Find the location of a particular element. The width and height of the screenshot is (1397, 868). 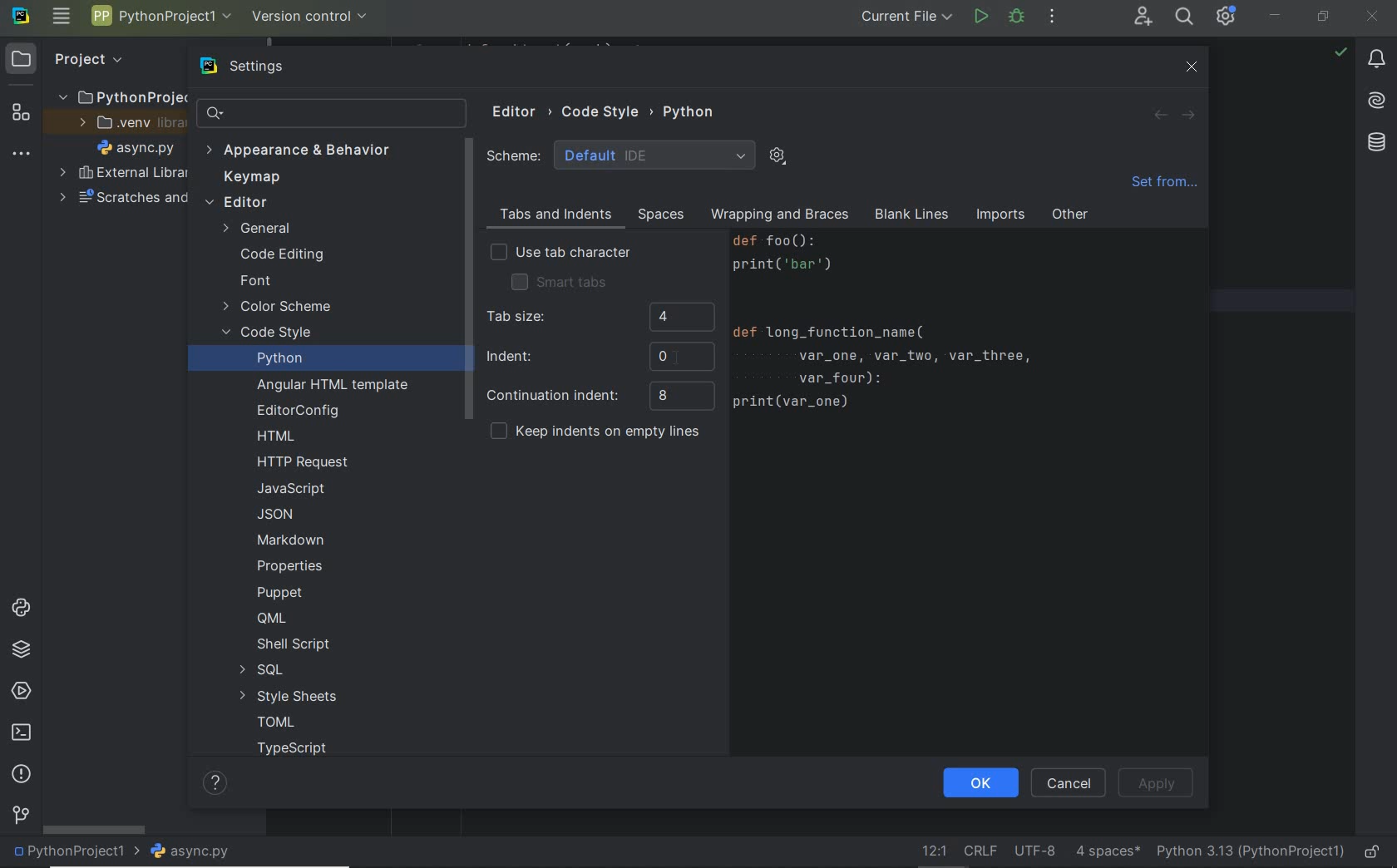

scrollbar is located at coordinates (466, 281).